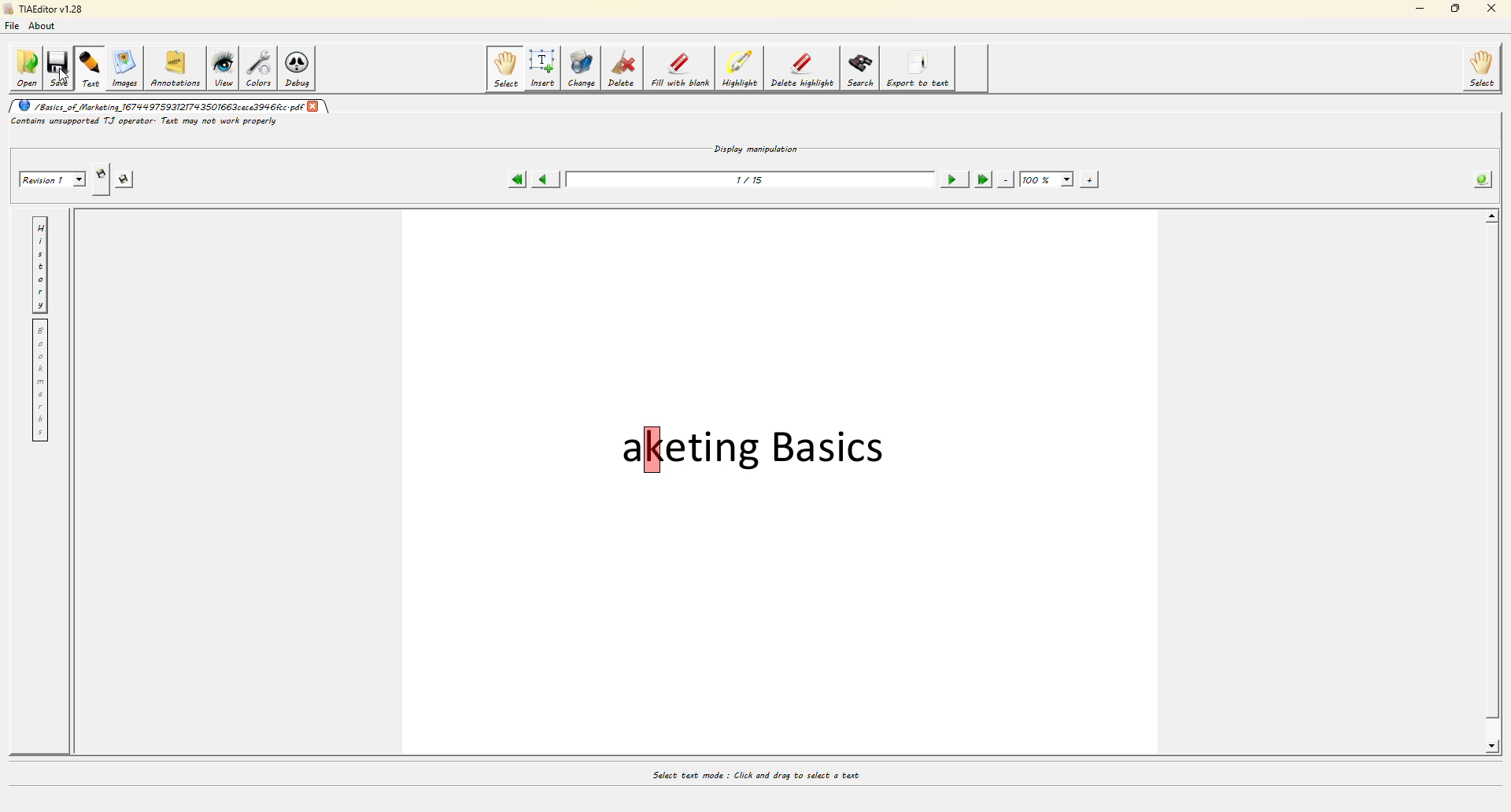 The width and height of the screenshot is (1511, 812). I want to click on cursor, so click(63, 72).